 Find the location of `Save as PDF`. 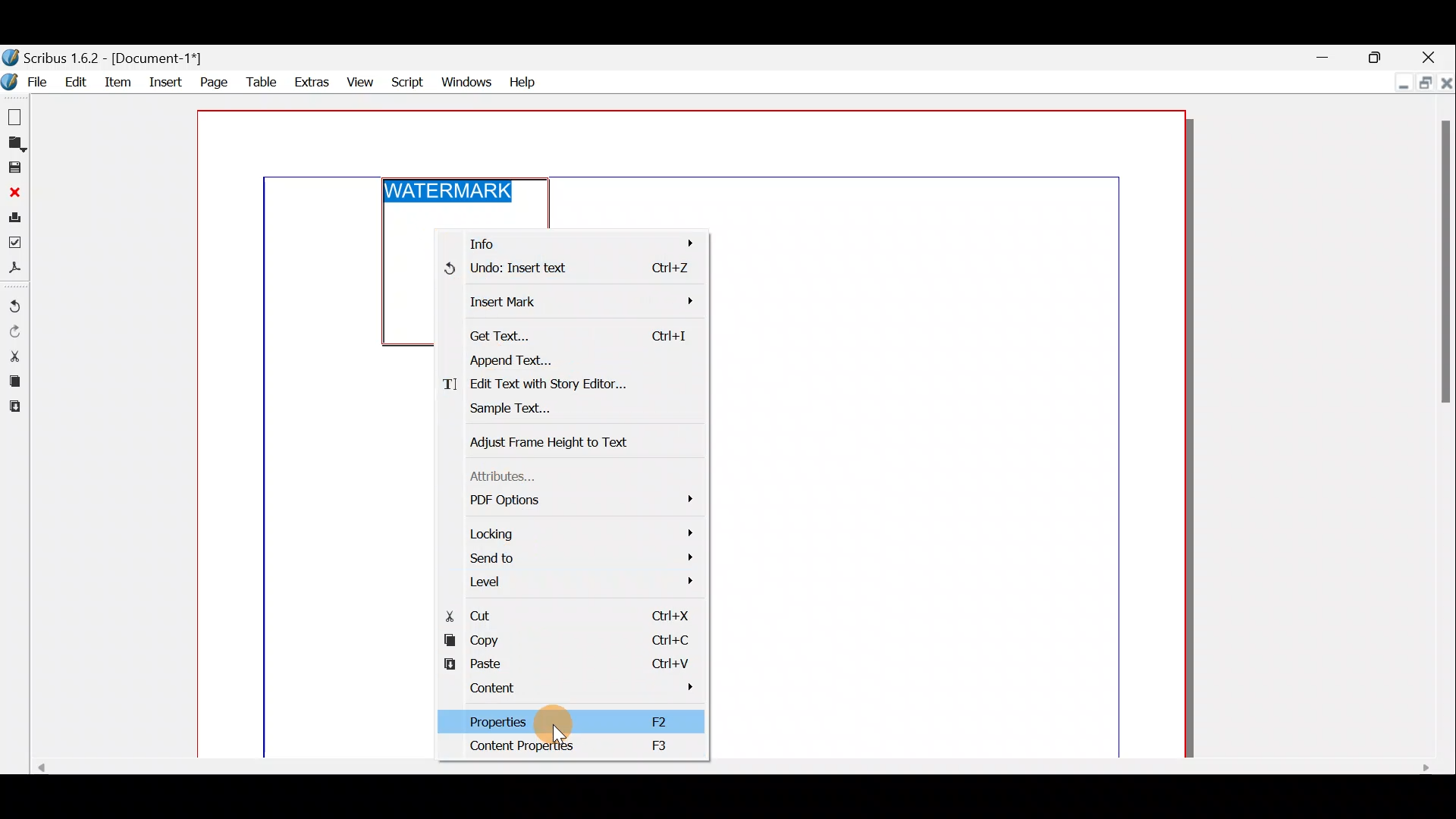

Save as PDF is located at coordinates (14, 270).